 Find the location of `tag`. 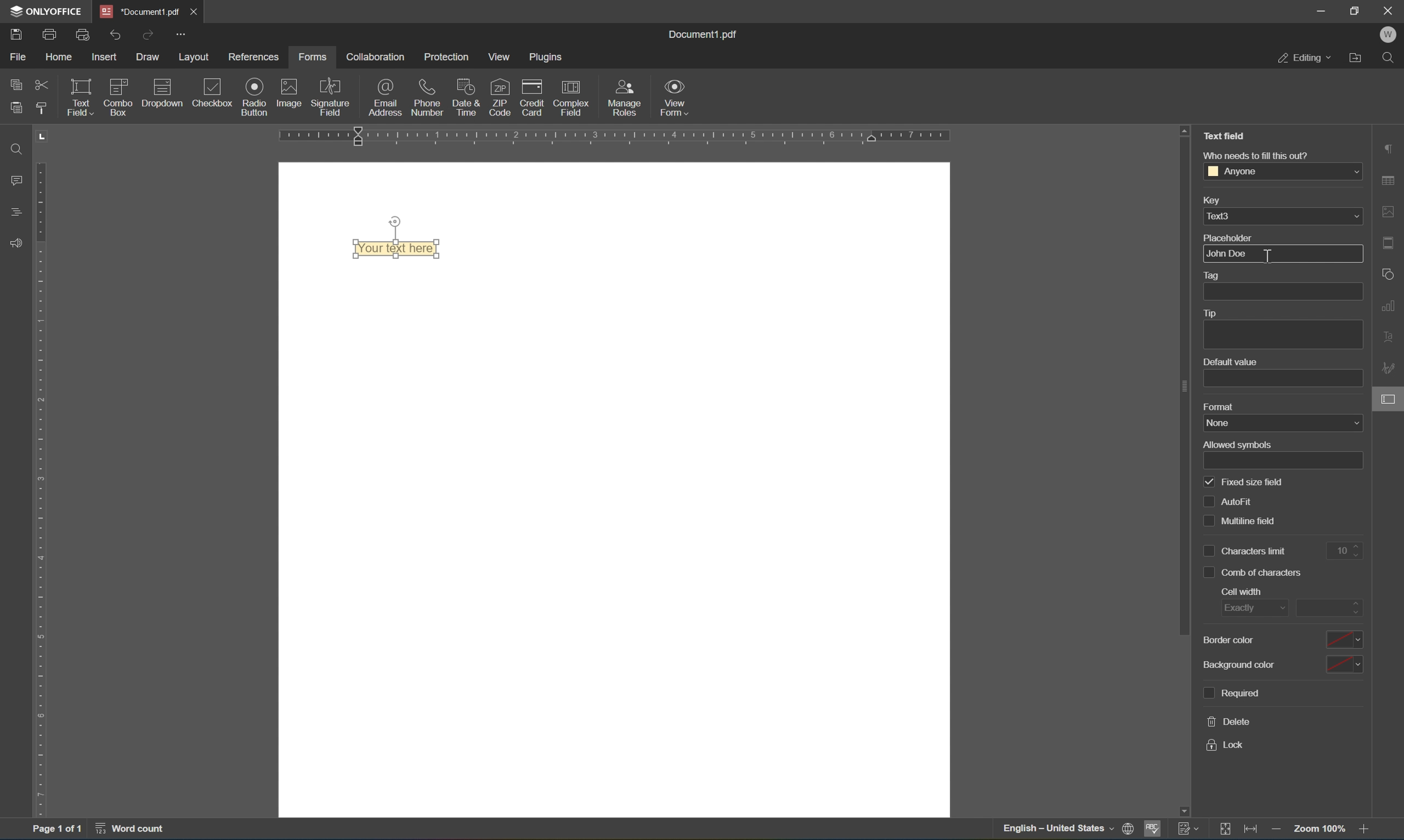

tag is located at coordinates (1221, 275).